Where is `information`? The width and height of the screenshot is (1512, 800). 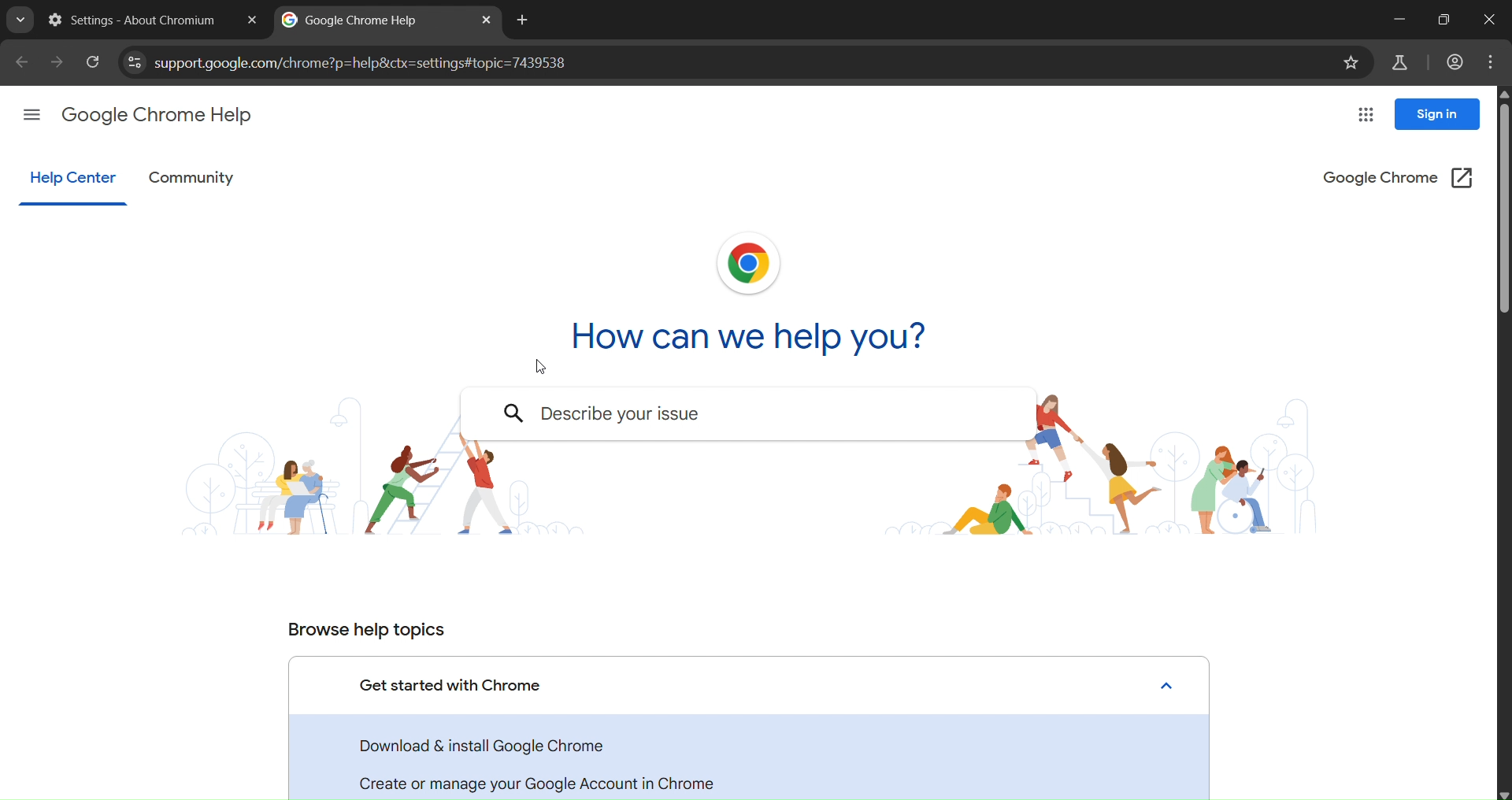
information is located at coordinates (136, 61).